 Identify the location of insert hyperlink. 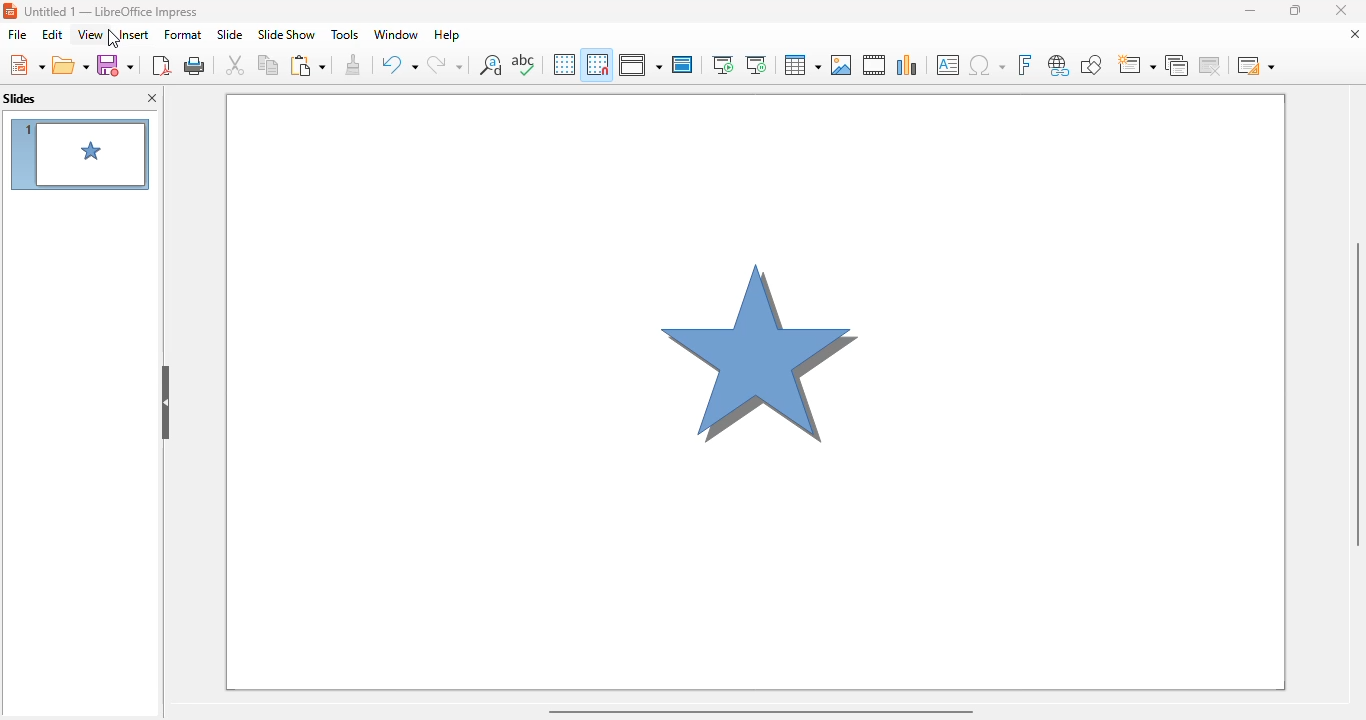
(1059, 66).